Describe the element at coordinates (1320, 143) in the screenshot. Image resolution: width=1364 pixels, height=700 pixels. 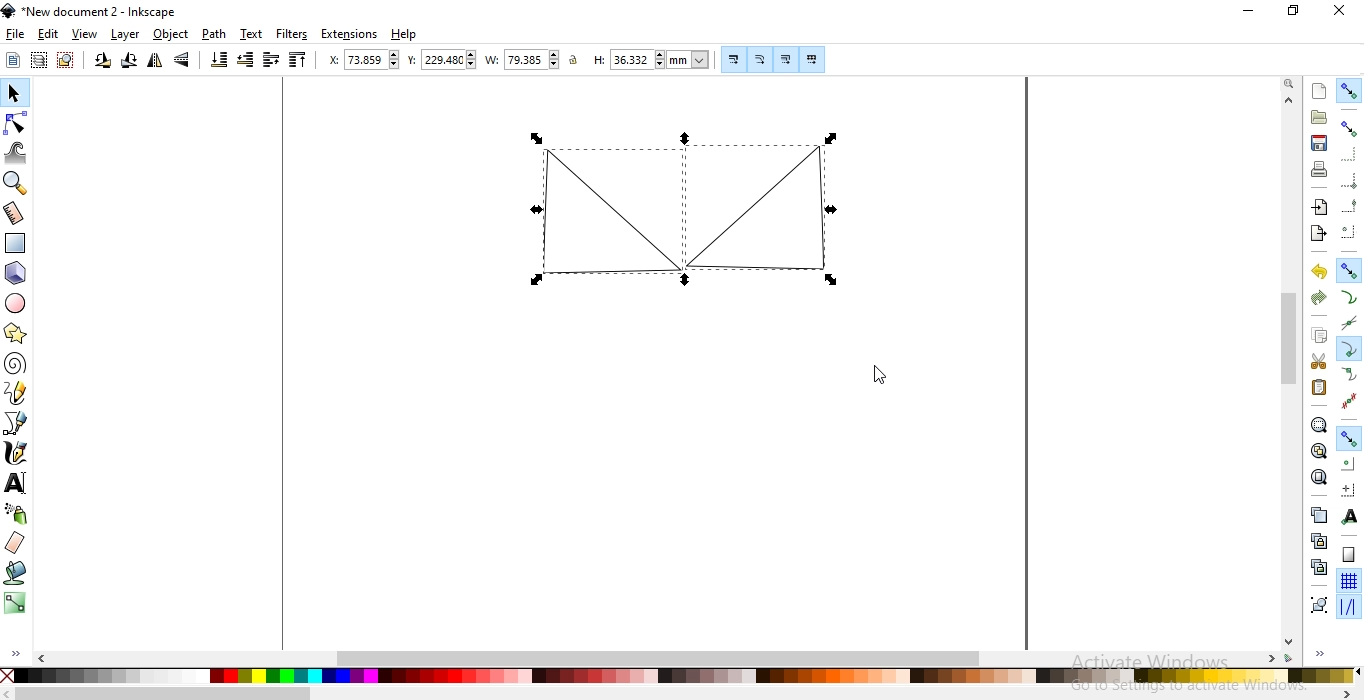
I see `save document` at that location.